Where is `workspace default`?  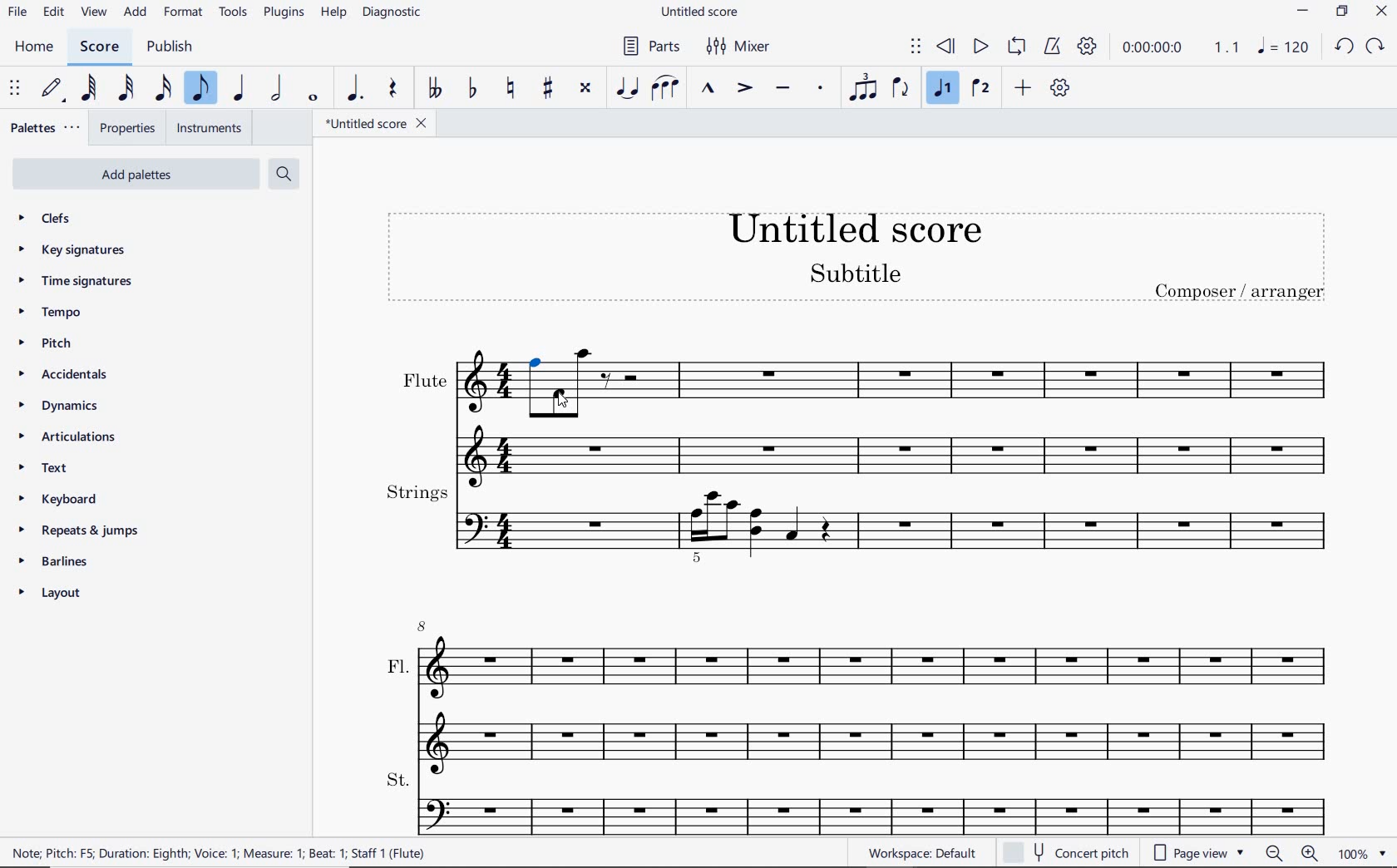 workspace default is located at coordinates (922, 853).